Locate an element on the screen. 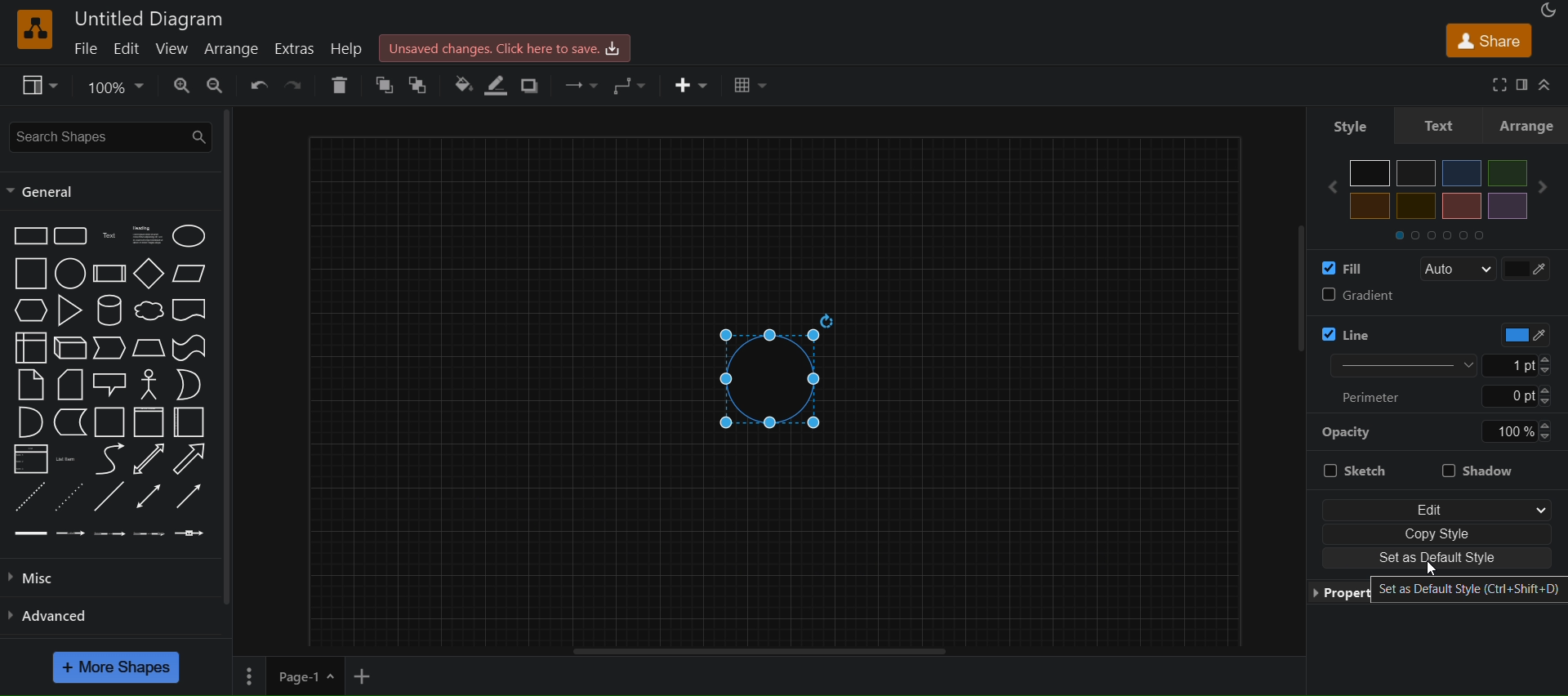 The width and height of the screenshot is (1568, 696). connector 3 is located at coordinates (108, 532).